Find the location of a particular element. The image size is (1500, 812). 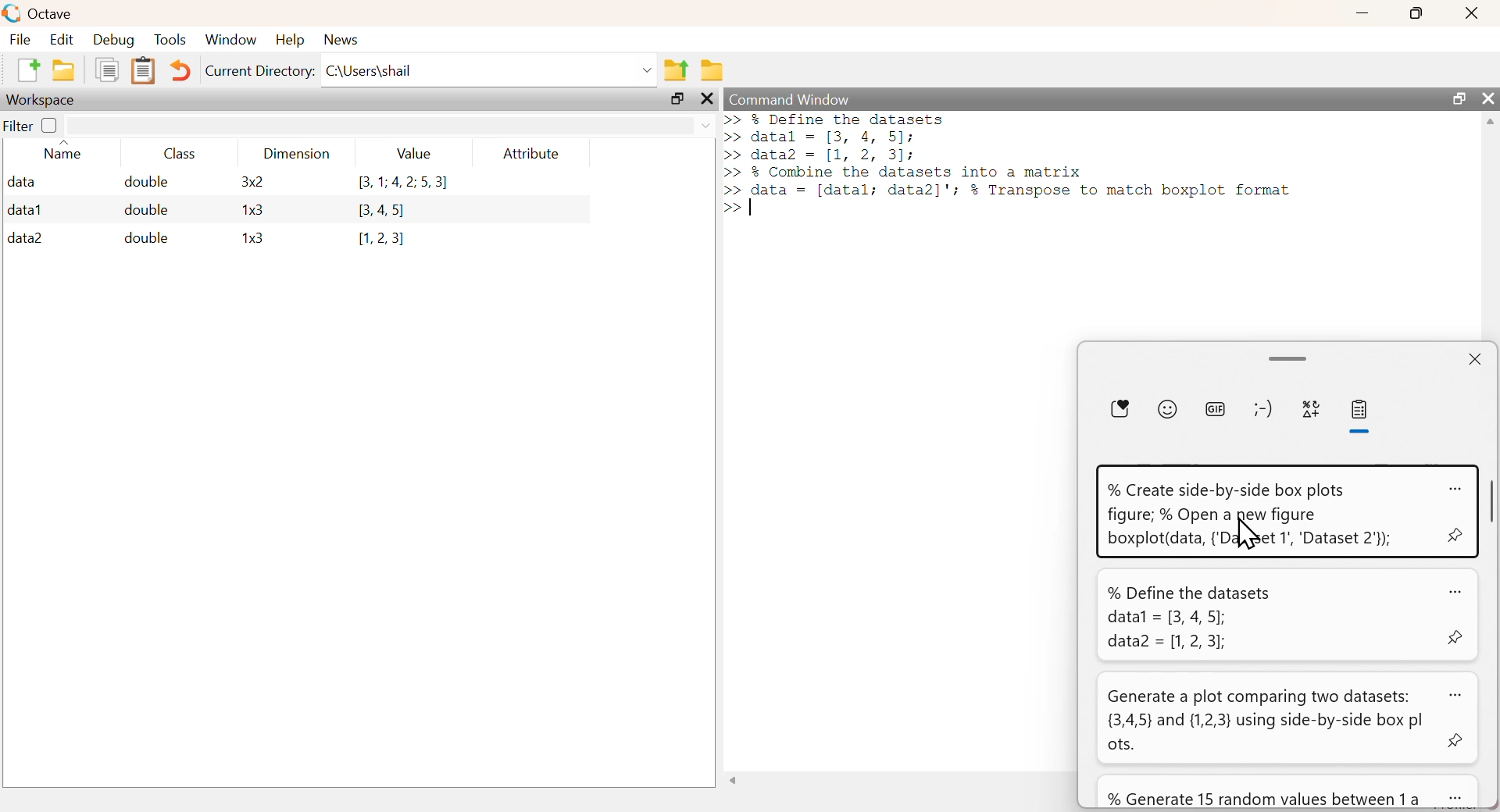

favorite is located at coordinates (1123, 408).